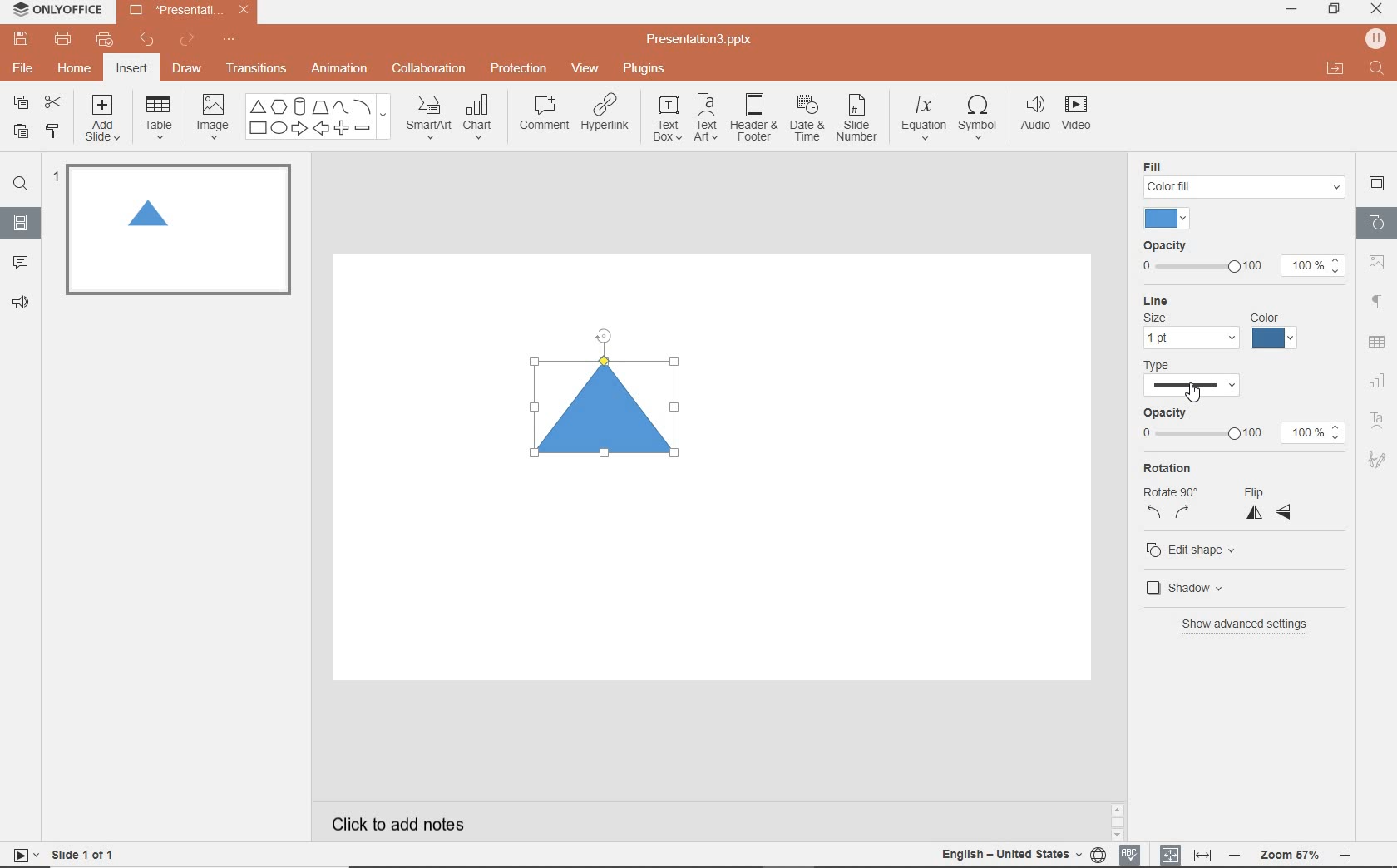  I want to click on SLIDE 1 OF 1, so click(86, 853).